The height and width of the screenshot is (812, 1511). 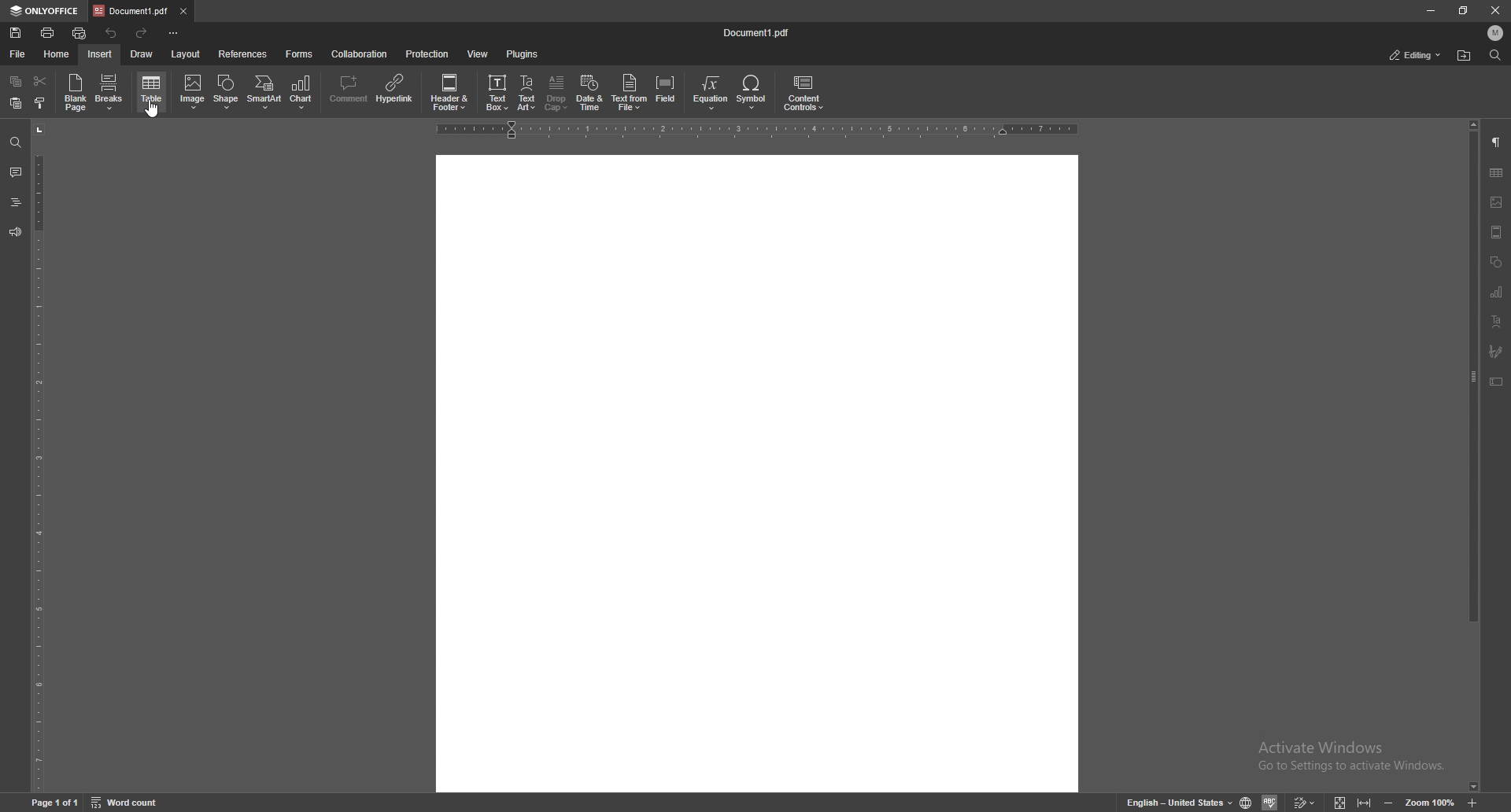 I want to click on cursor, so click(x=153, y=110).